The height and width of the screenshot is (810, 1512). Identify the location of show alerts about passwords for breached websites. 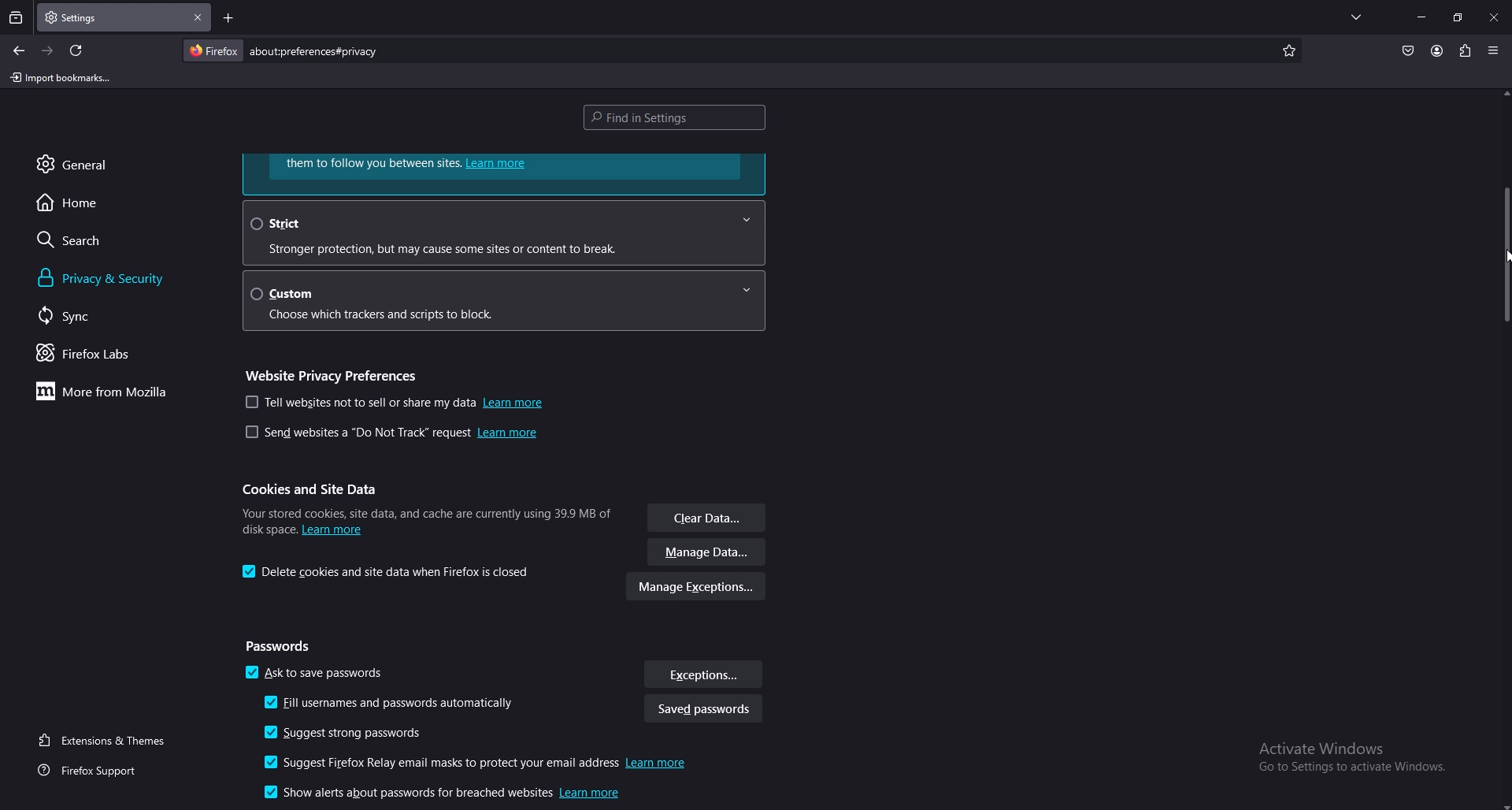
(437, 792).